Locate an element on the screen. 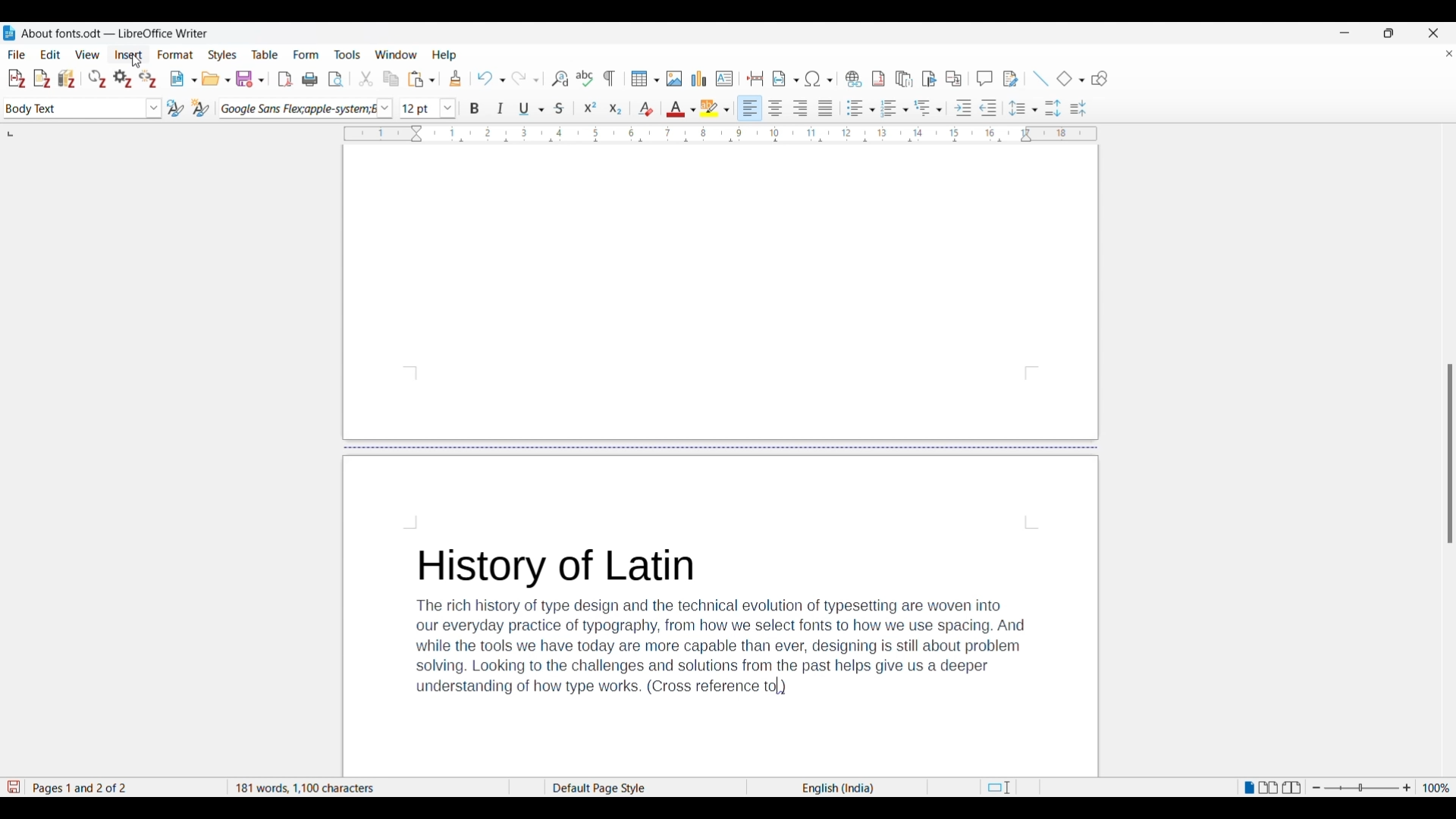 This screenshot has height=819, width=1456. Add/Edit bibliography is located at coordinates (67, 79).